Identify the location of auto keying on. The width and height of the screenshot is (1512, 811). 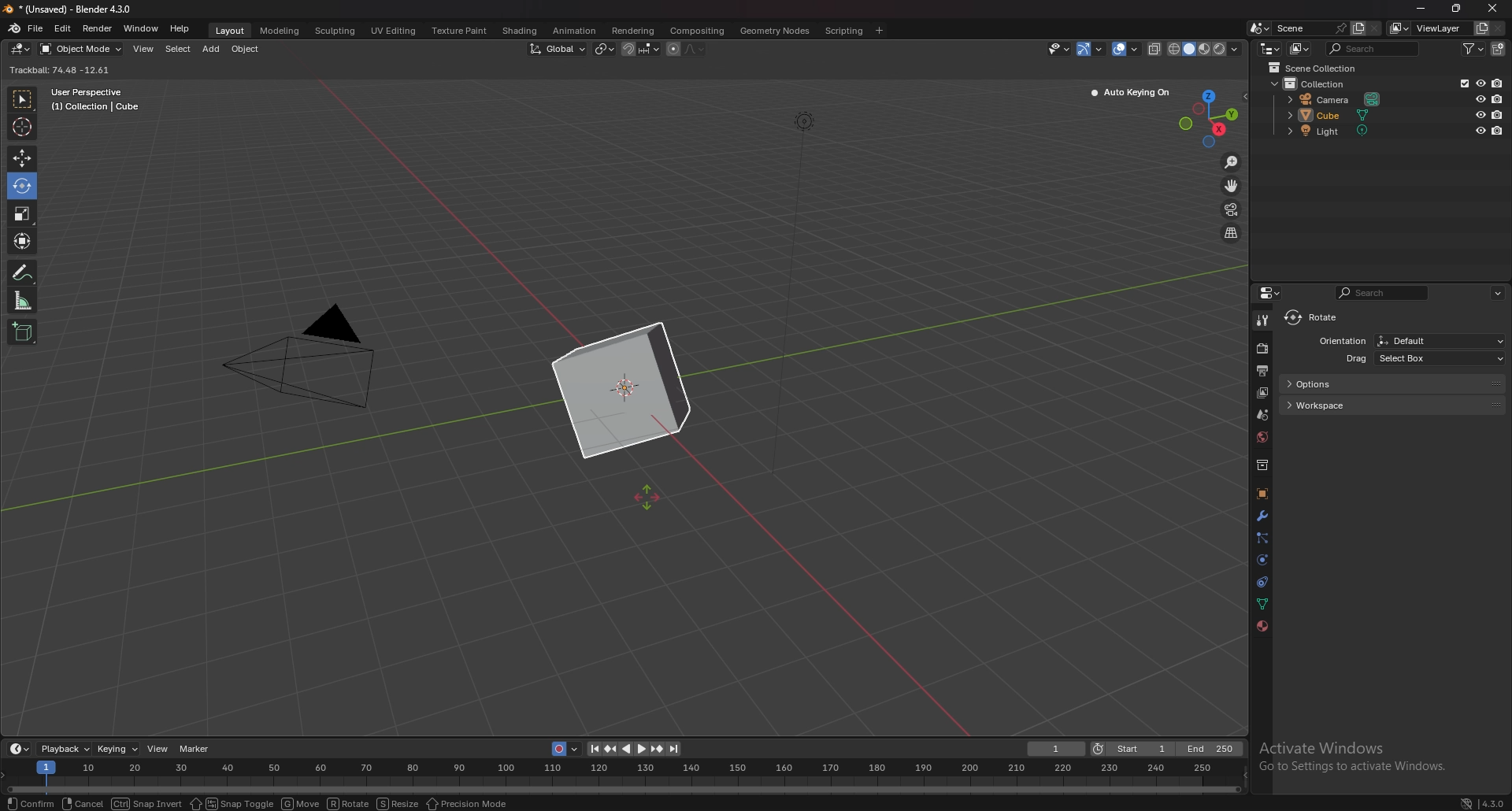
(1131, 93).